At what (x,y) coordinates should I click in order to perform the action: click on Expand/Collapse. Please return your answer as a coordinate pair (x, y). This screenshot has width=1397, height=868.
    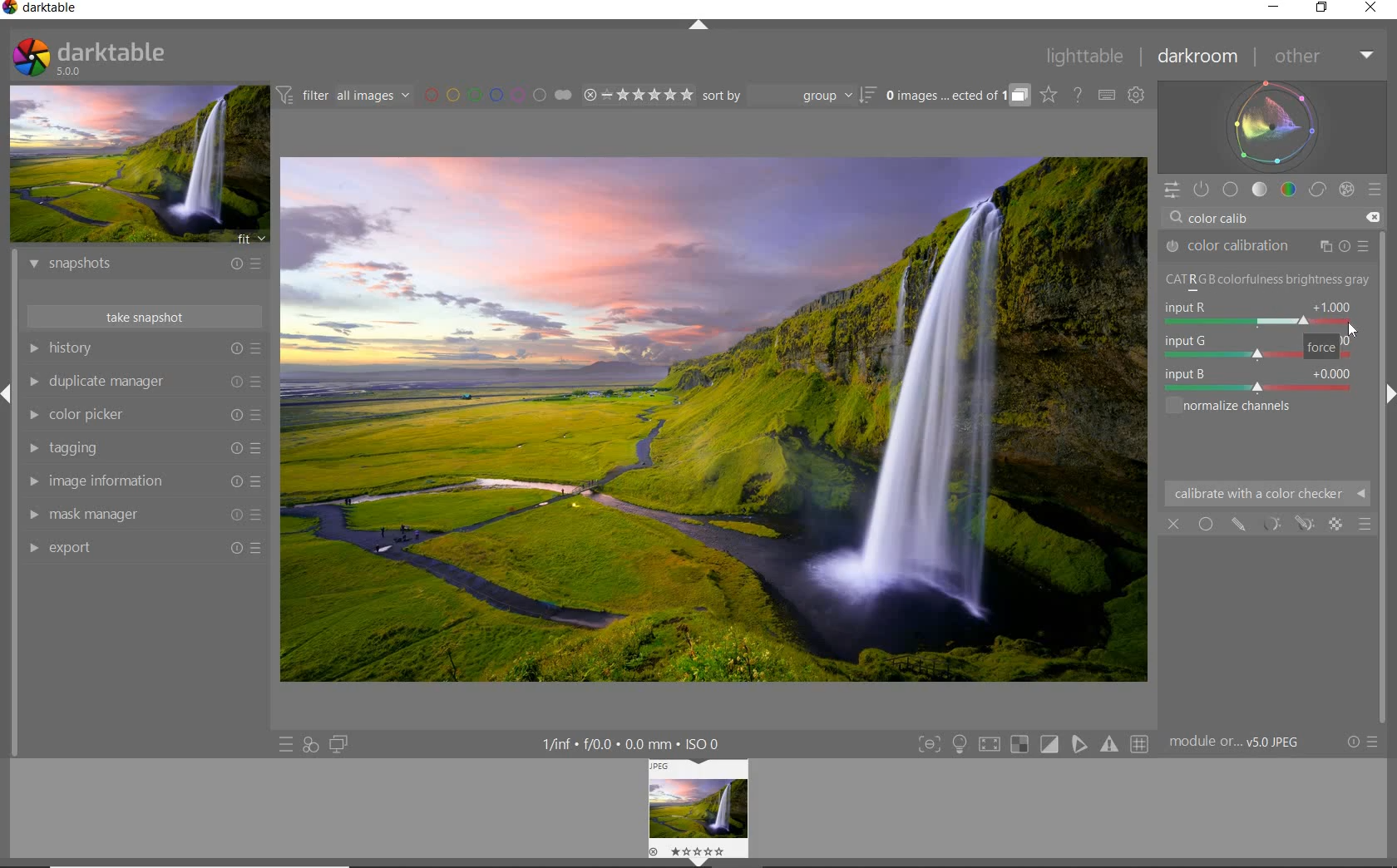
    Looking at the image, I should click on (1389, 392).